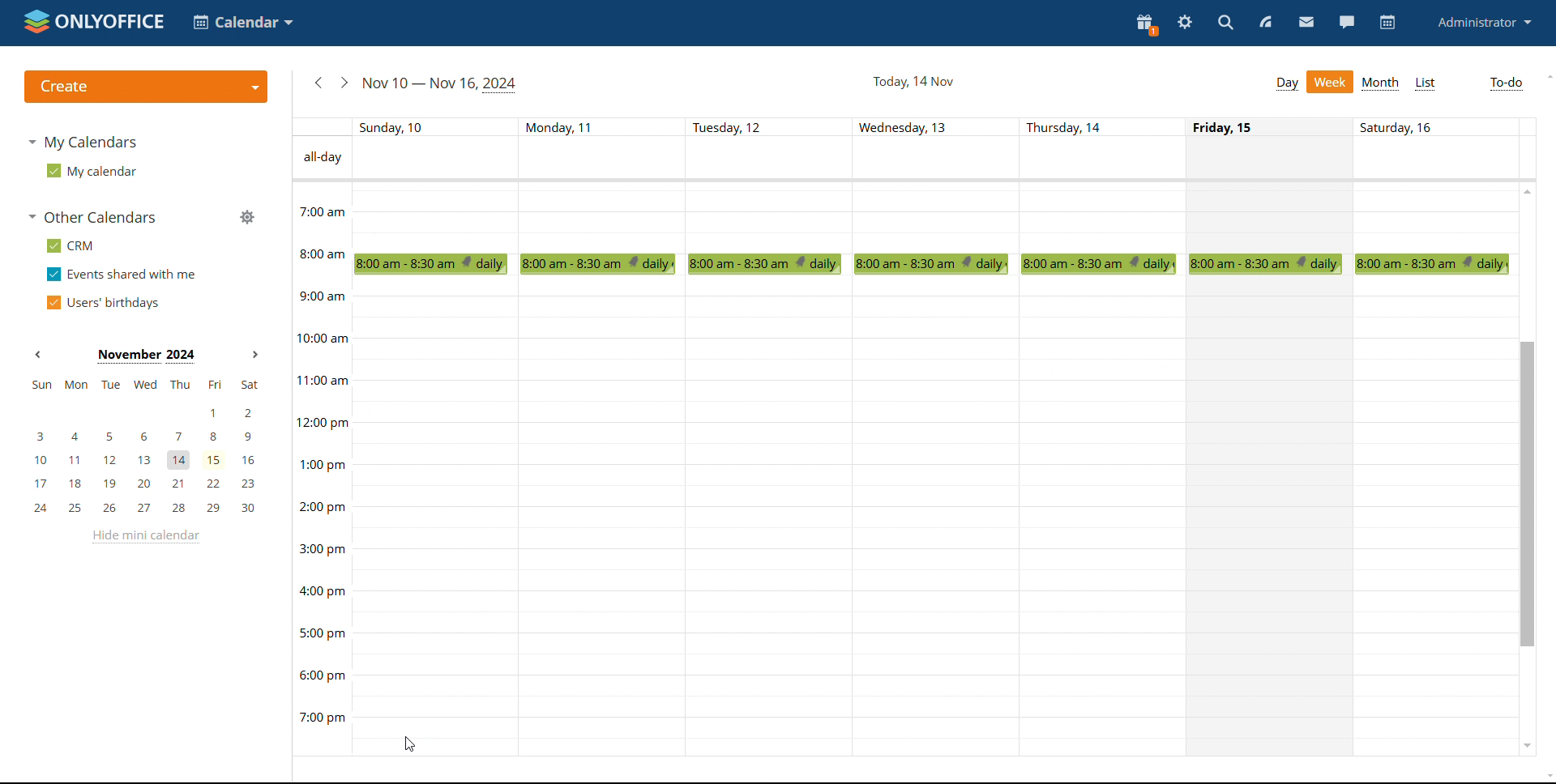  What do you see at coordinates (37, 356) in the screenshot?
I see `previous month` at bounding box center [37, 356].